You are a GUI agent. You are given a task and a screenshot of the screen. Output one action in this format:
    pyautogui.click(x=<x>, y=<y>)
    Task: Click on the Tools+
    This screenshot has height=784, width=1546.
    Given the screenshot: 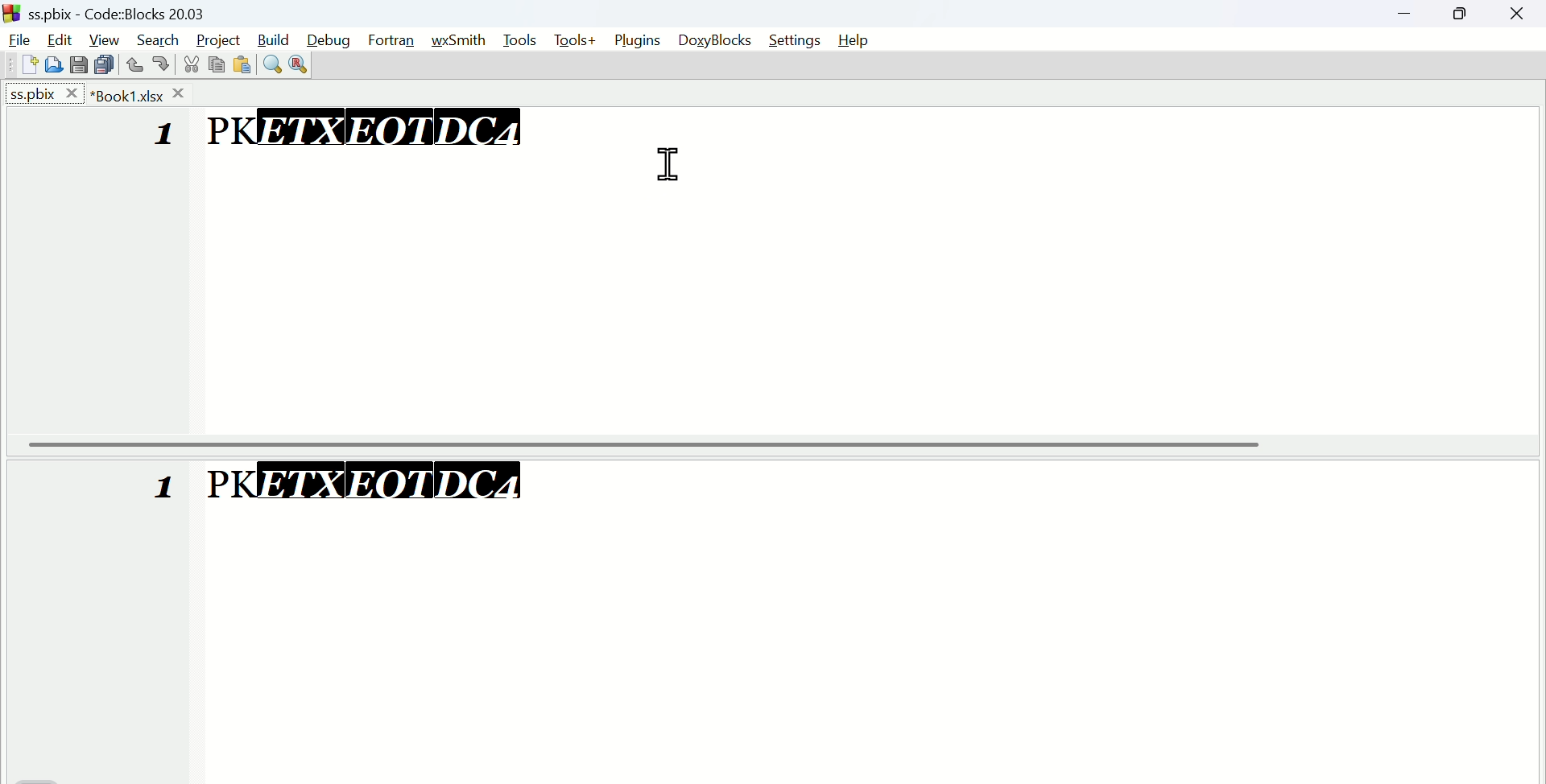 What is the action you would take?
    pyautogui.click(x=575, y=41)
    